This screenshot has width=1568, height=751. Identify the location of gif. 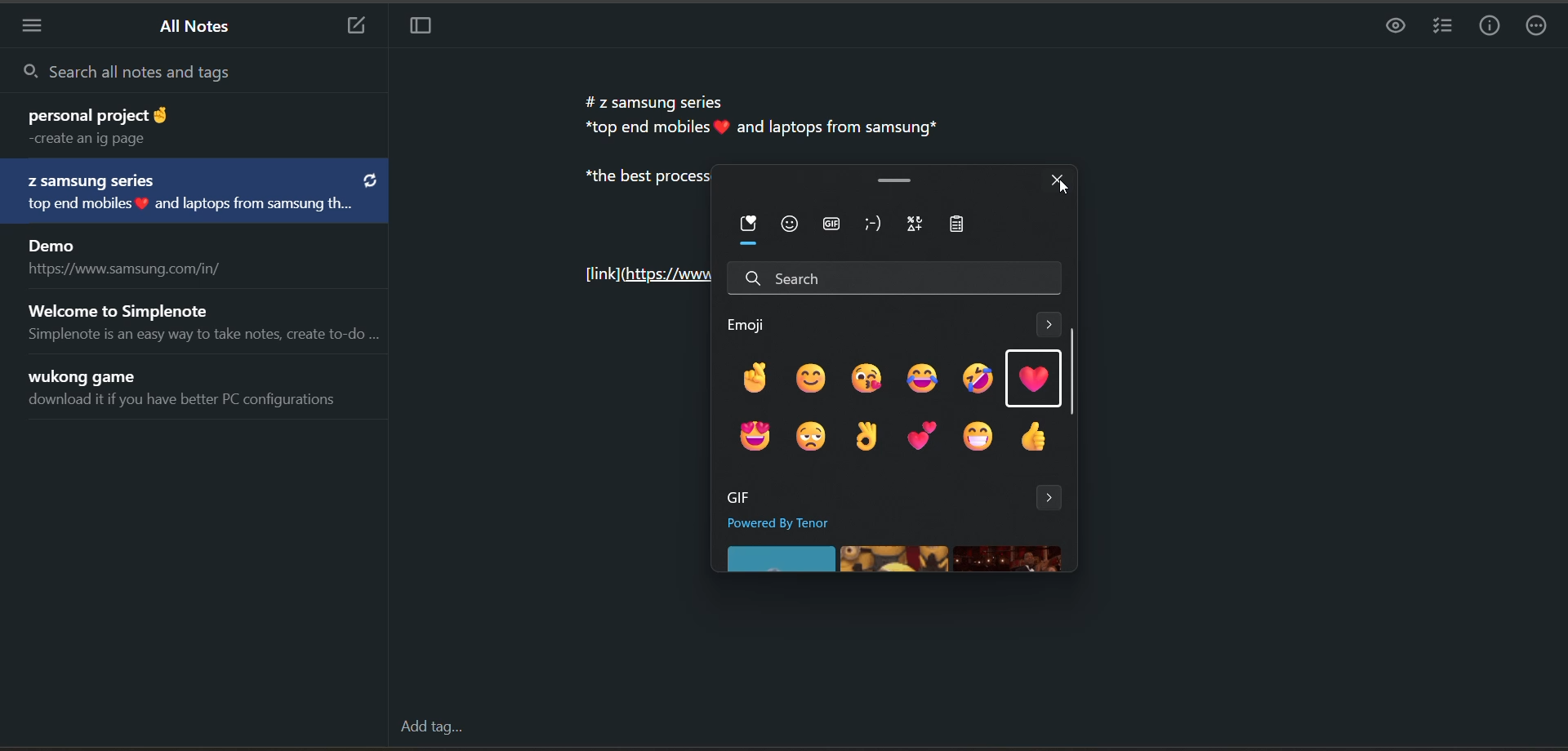
(831, 226).